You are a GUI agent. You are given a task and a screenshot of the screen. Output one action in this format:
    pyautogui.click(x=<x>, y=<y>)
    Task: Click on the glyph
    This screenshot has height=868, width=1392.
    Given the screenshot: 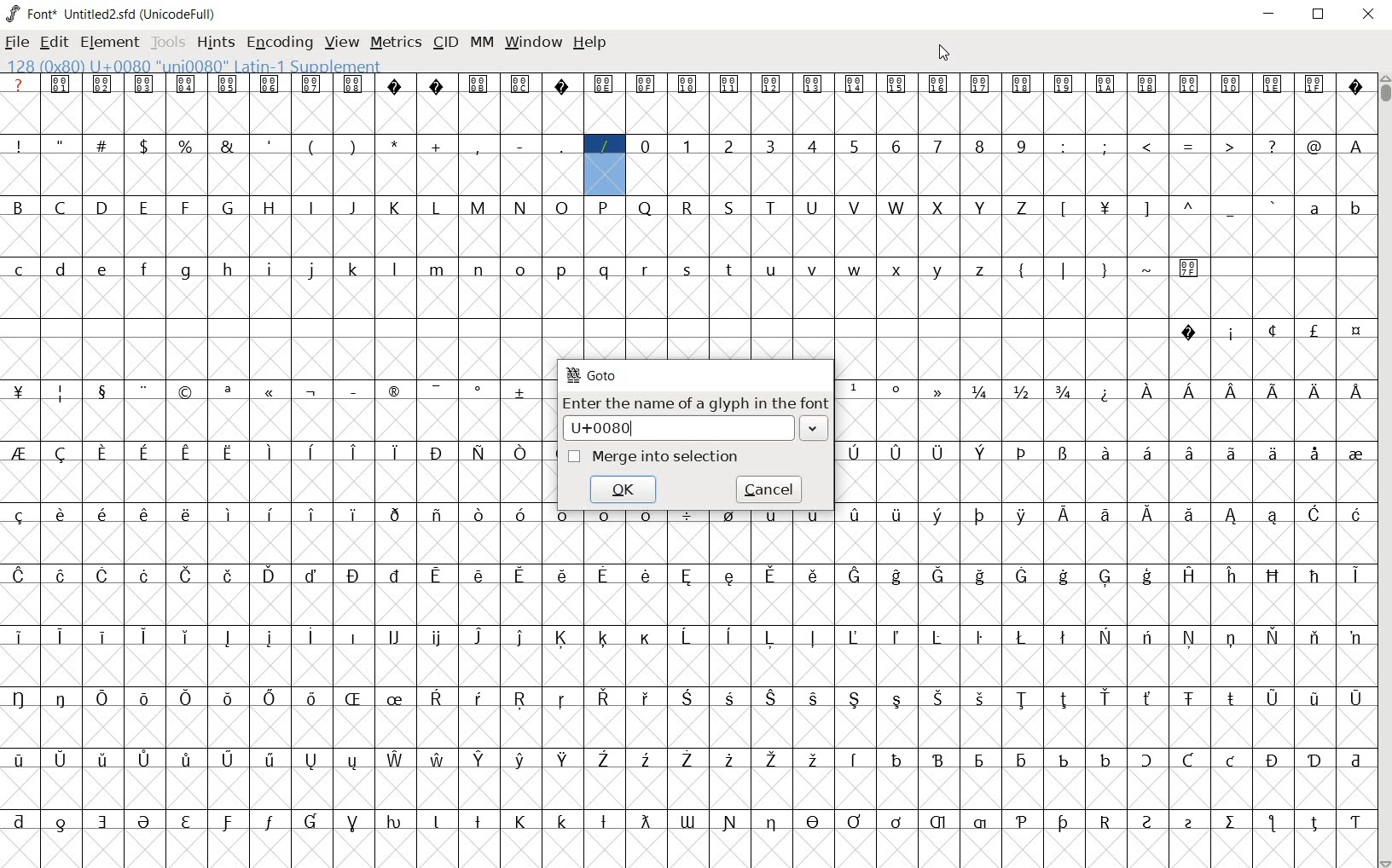 What is the action you would take?
    pyautogui.click(x=476, y=147)
    